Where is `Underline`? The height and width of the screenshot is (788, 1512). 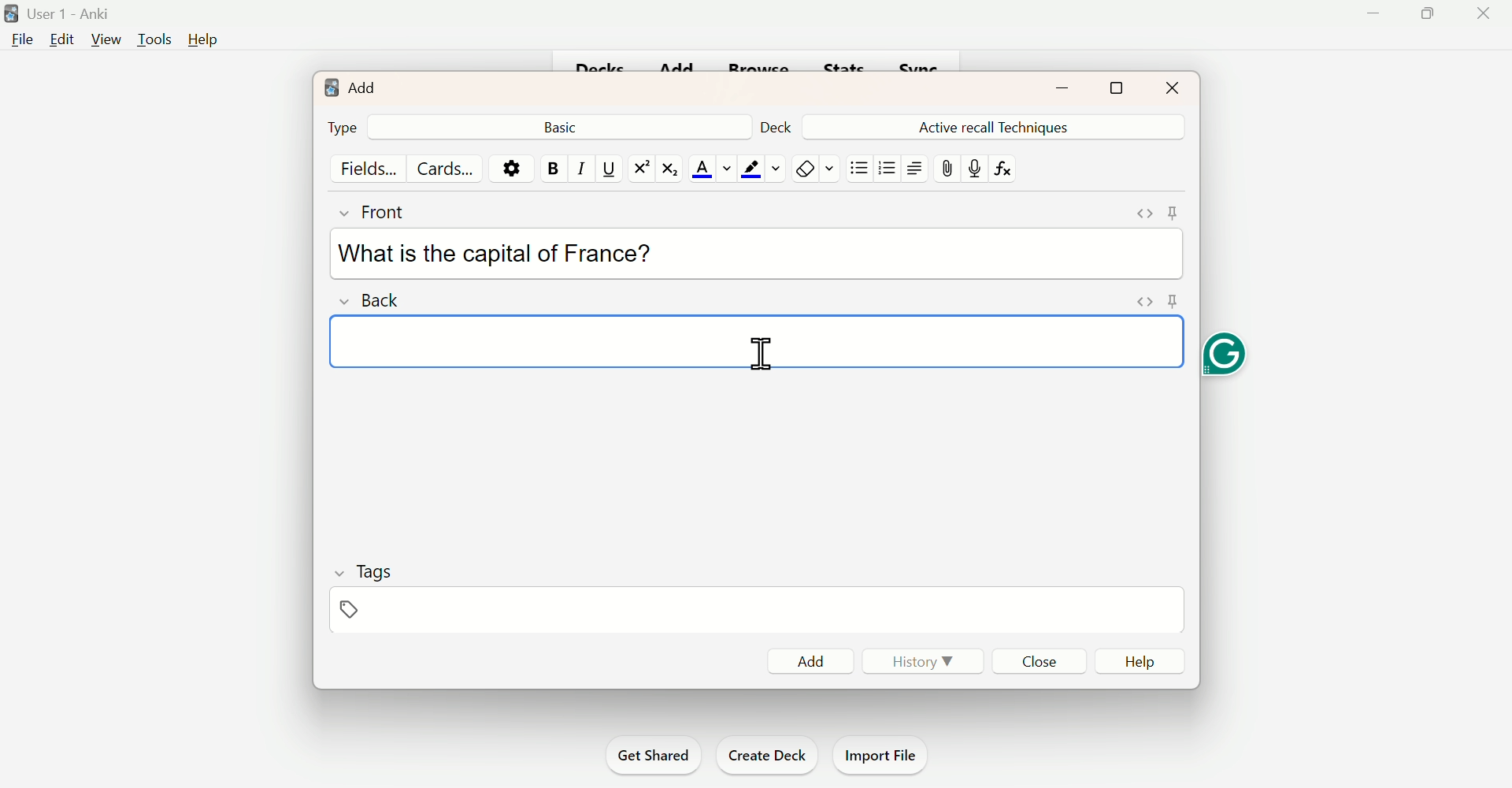
Underline is located at coordinates (609, 170).